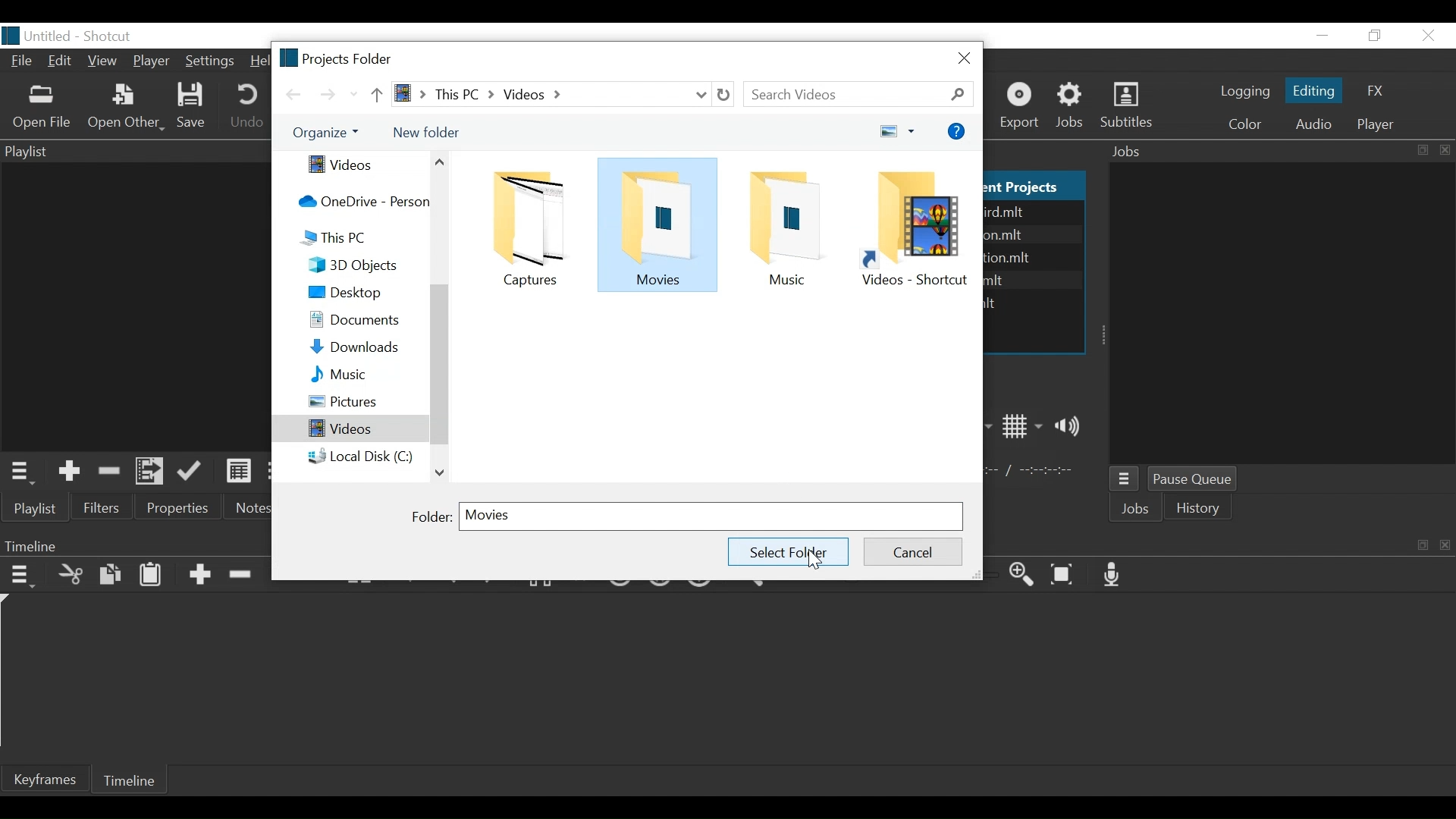  Describe the element at coordinates (347, 427) in the screenshot. I see `Videos` at that location.